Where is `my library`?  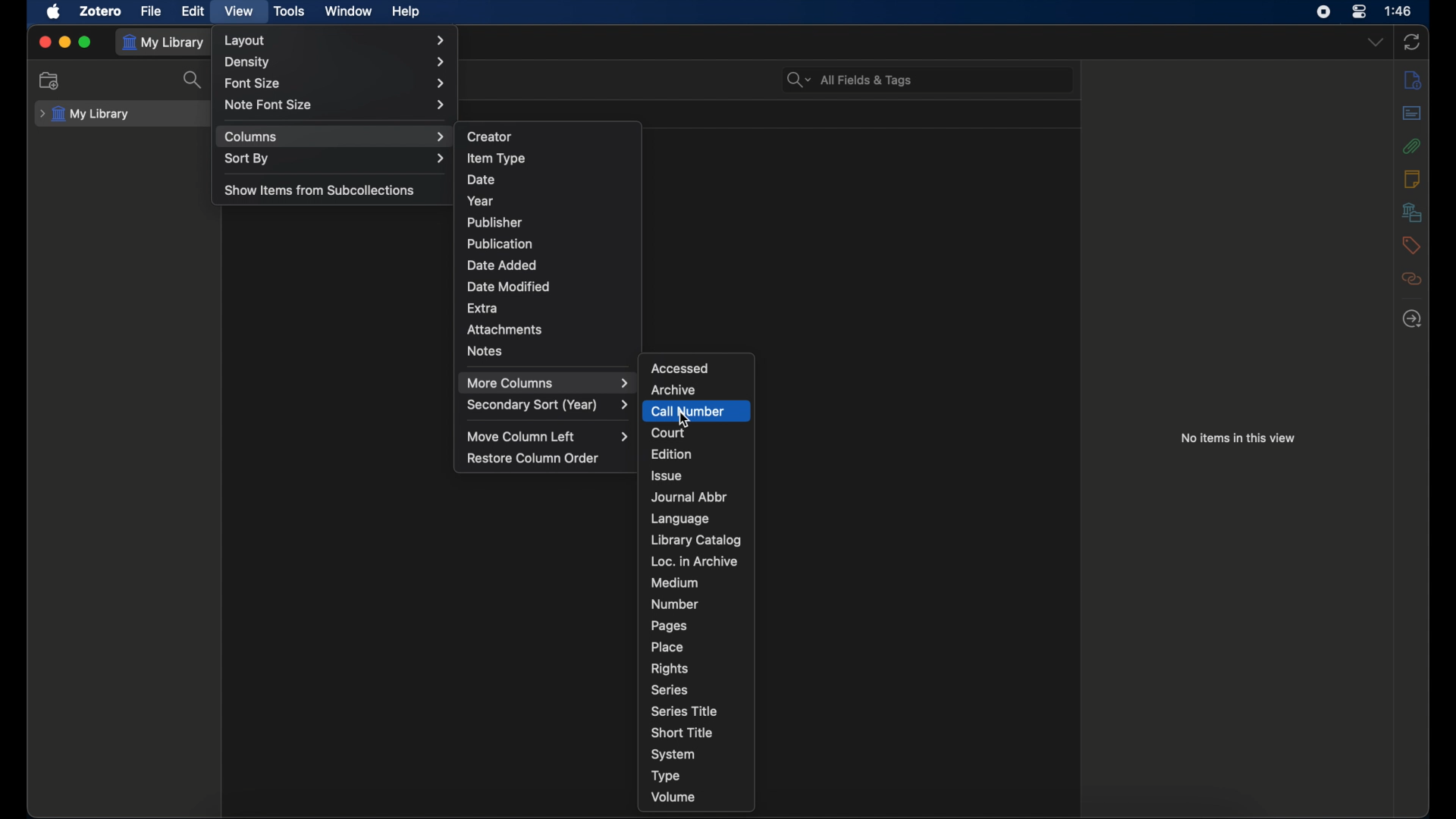 my library is located at coordinates (165, 42).